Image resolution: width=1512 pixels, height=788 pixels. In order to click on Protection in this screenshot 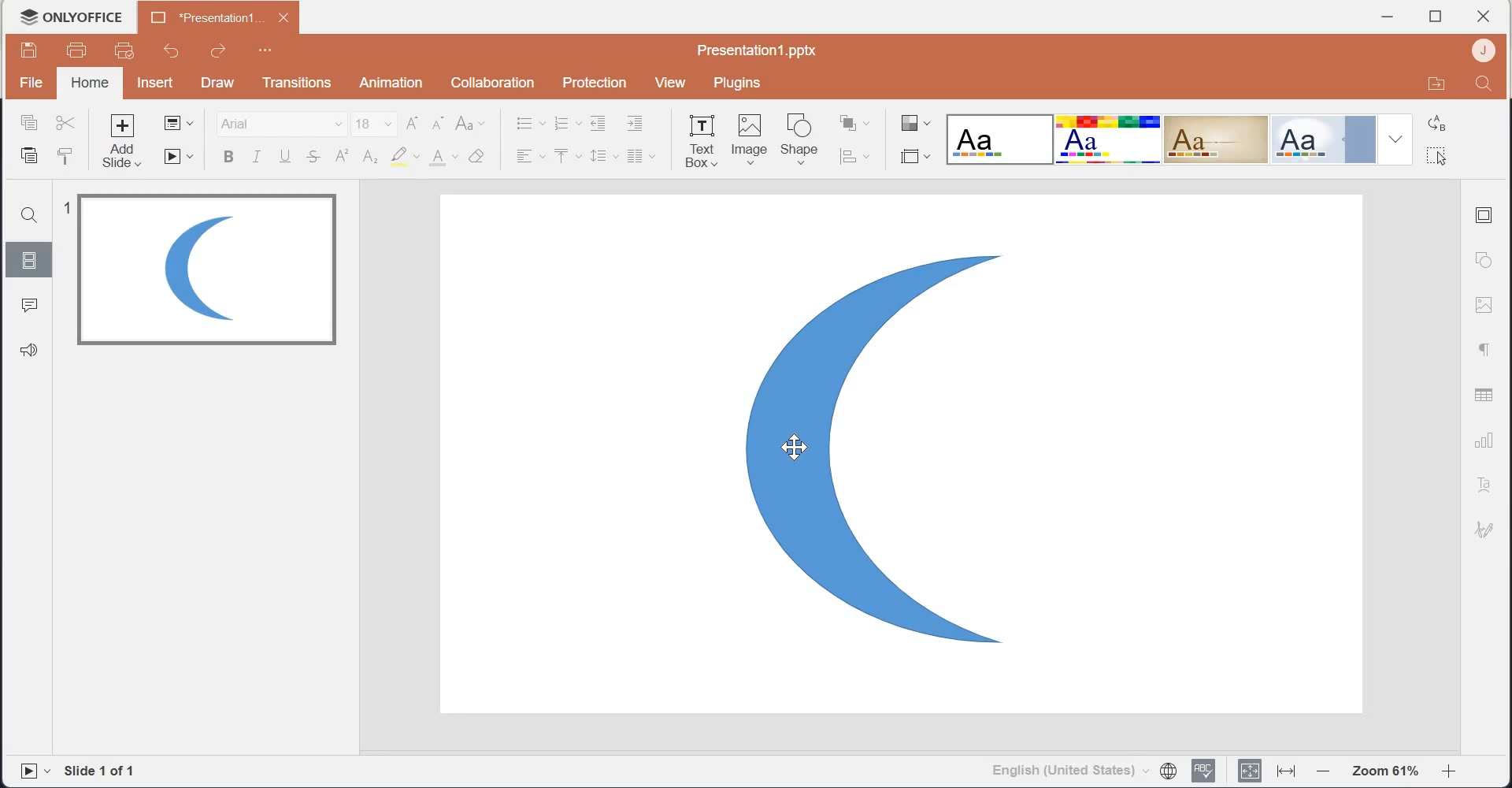, I will do `click(589, 84)`.